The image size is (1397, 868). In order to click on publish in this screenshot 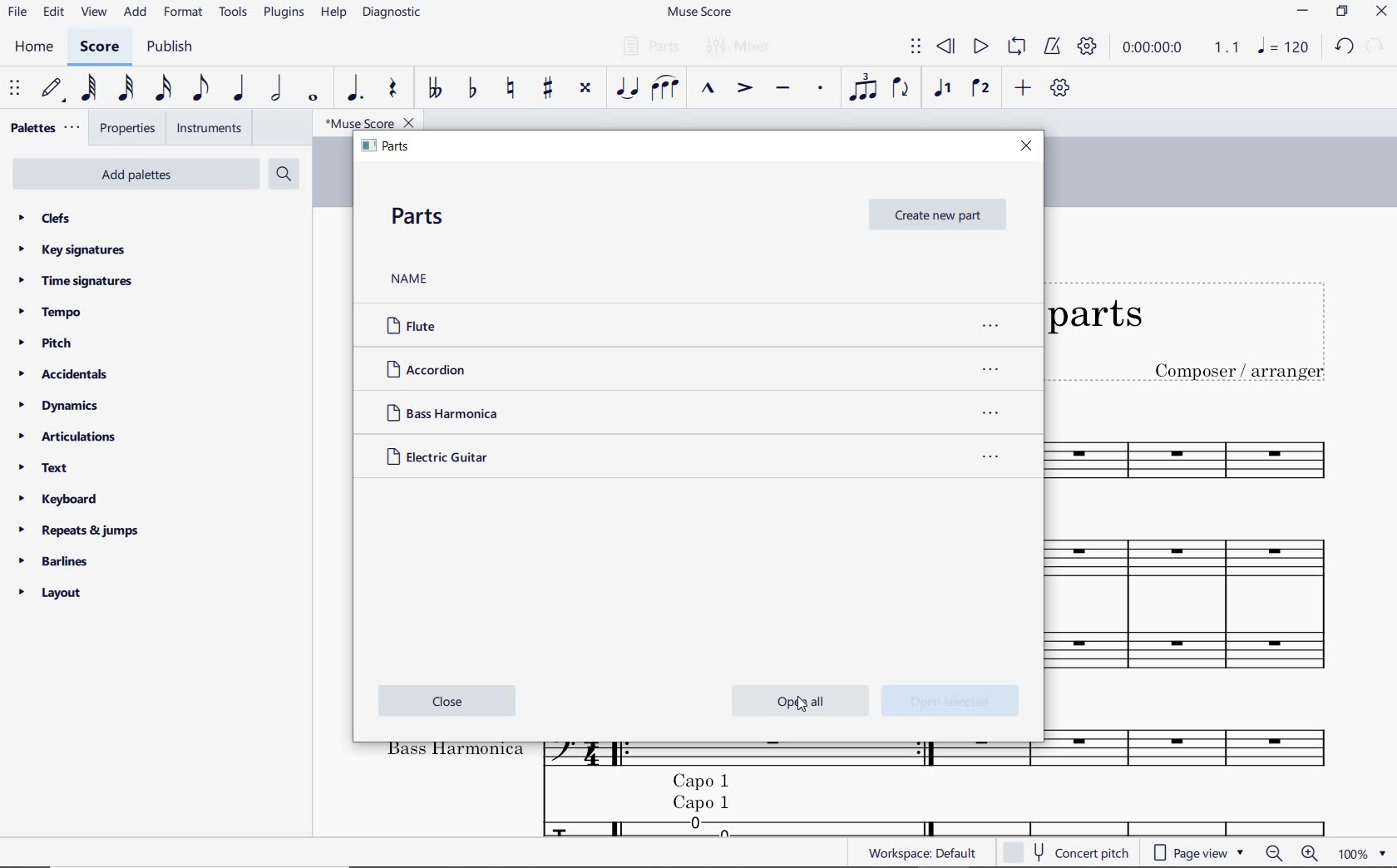, I will do `click(176, 47)`.